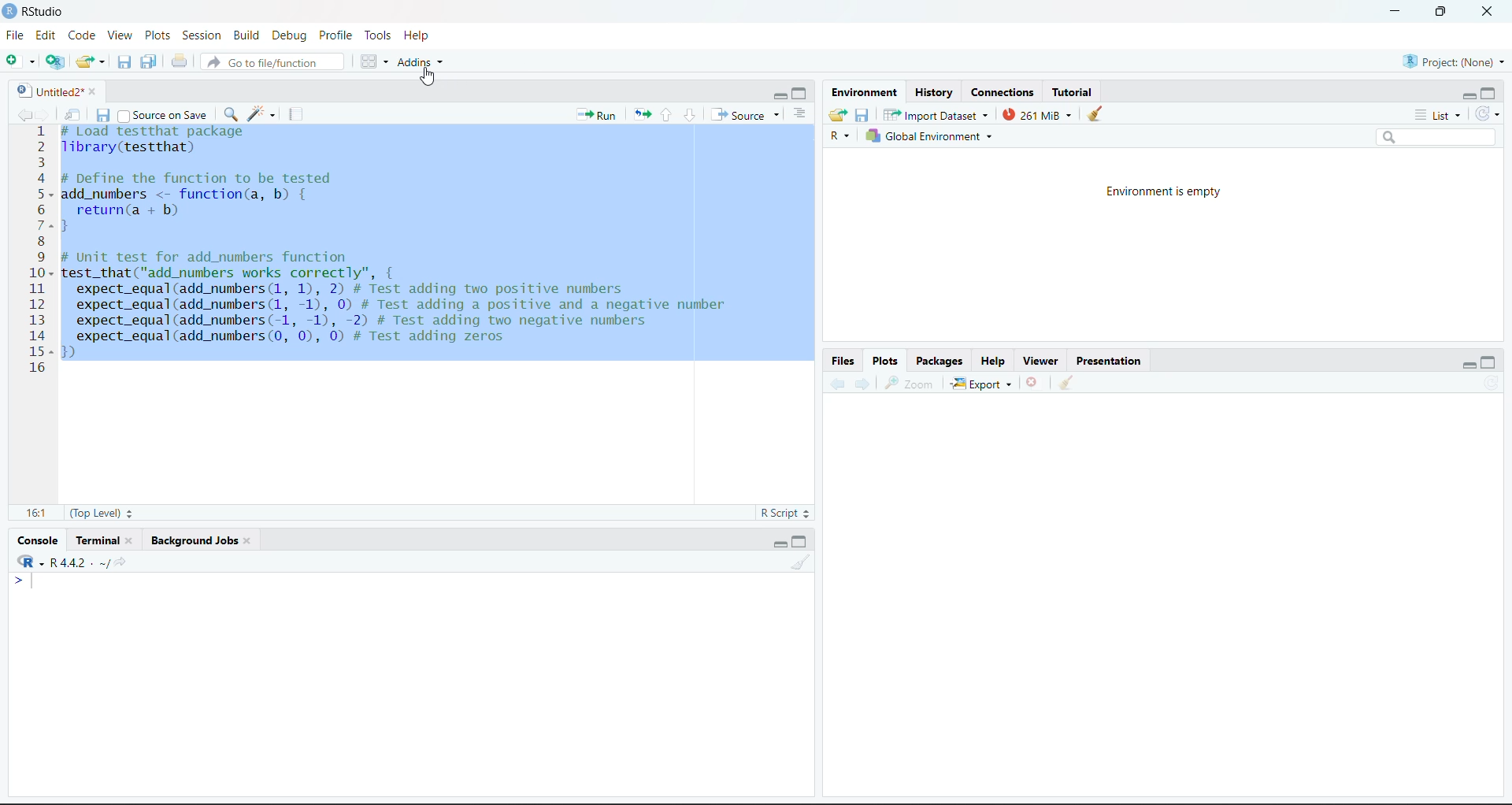 This screenshot has height=805, width=1512. I want to click on Untitled2*, so click(48, 89).